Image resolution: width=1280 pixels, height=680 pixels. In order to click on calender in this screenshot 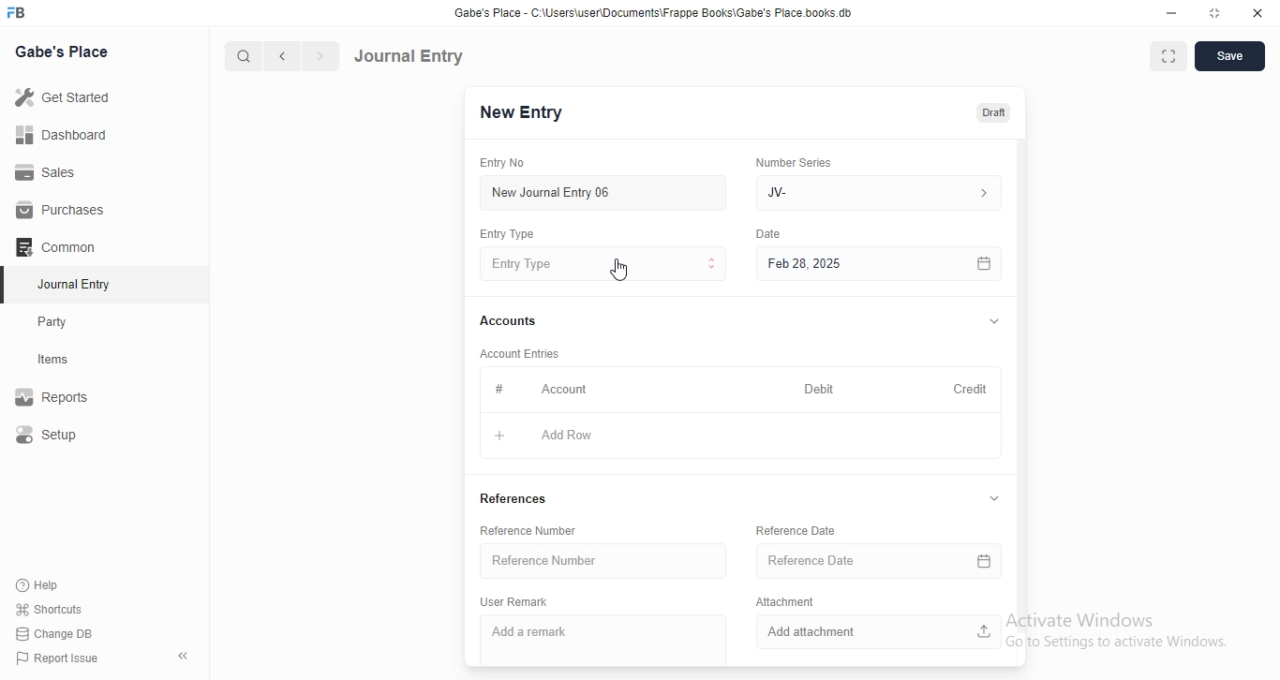, I will do `click(982, 562)`.